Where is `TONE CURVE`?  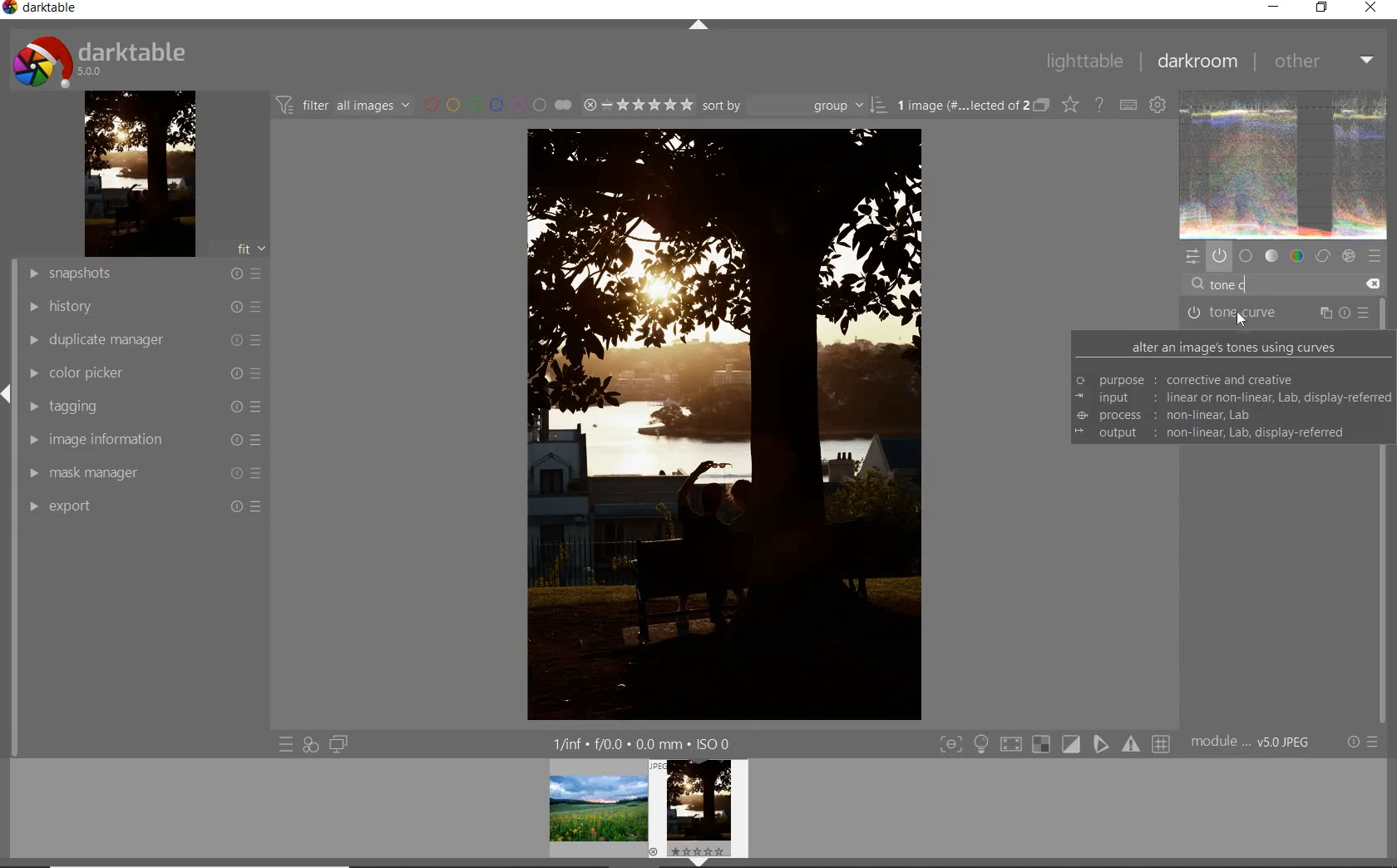
TONE CURVE is located at coordinates (1278, 311).